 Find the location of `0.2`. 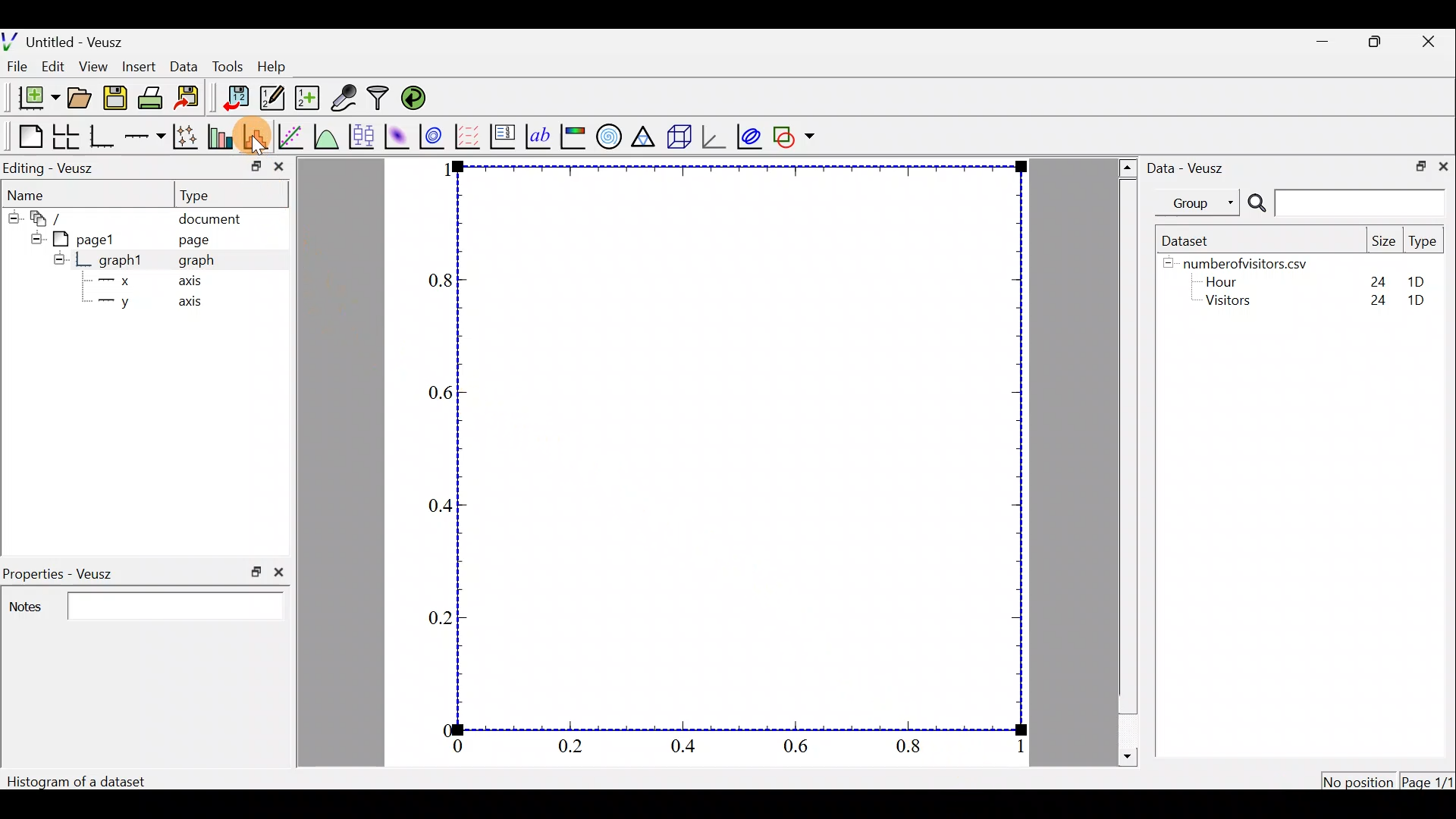

0.2 is located at coordinates (435, 620).